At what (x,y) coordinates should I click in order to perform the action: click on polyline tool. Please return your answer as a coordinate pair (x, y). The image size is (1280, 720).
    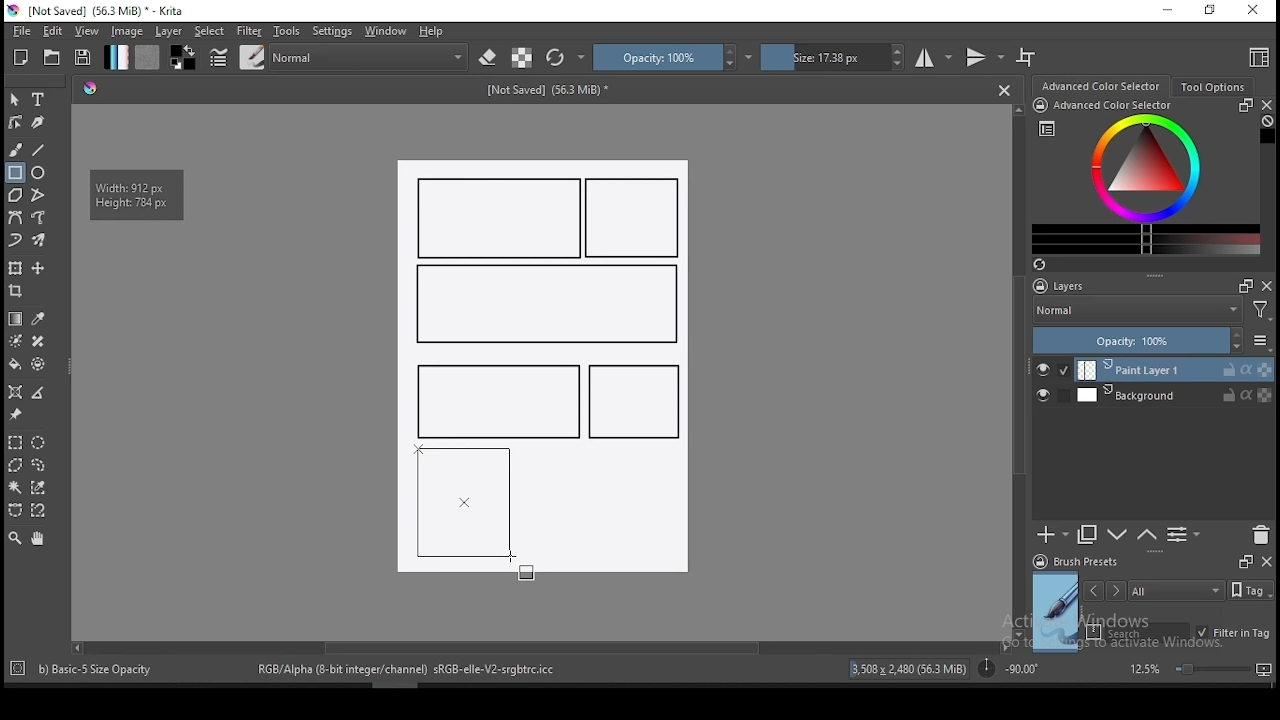
    Looking at the image, I should click on (38, 193).